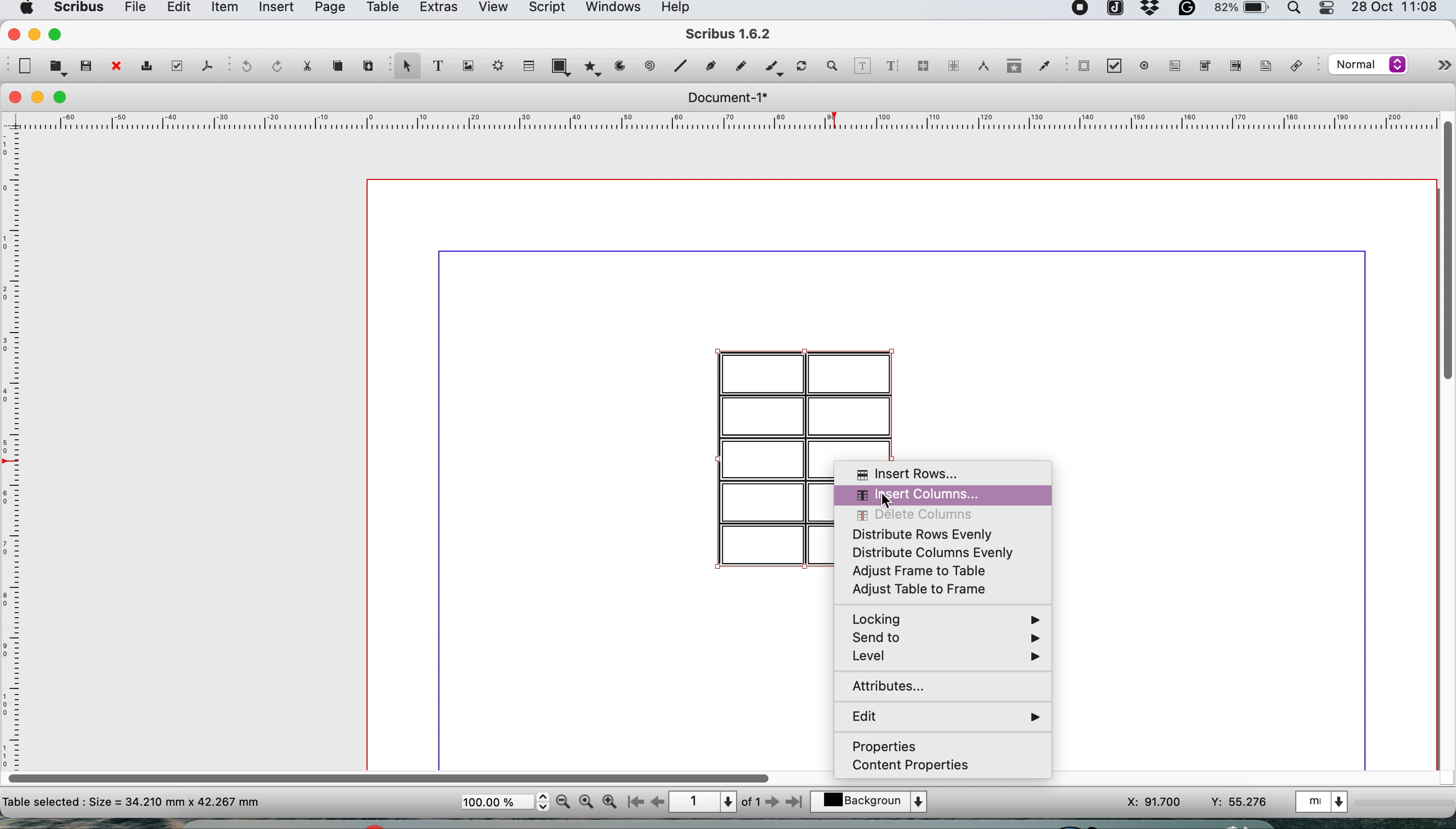  I want to click on save as pdf, so click(206, 65).